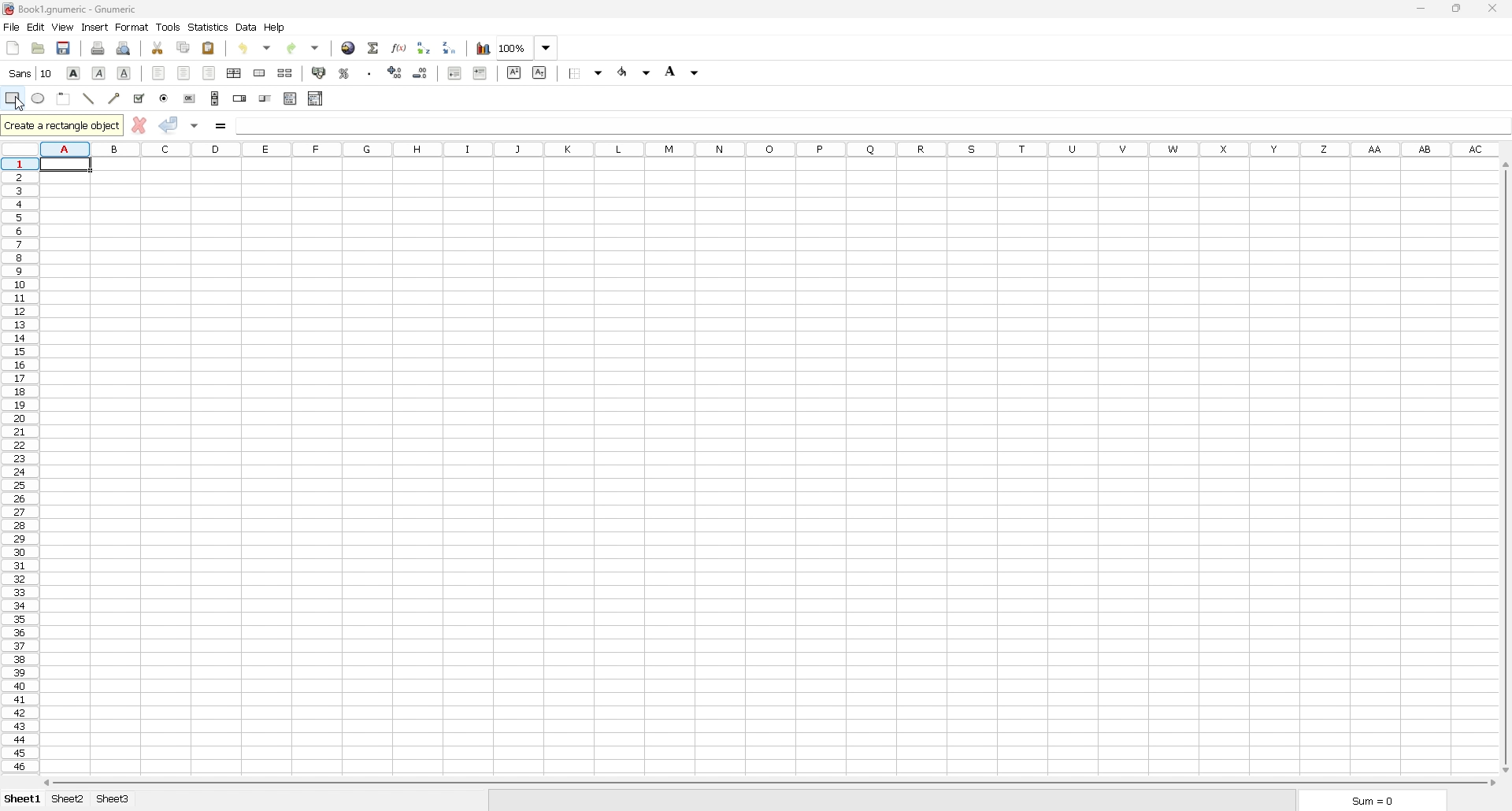  Describe the element at coordinates (374, 47) in the screenshot. I see `summation` at that location.